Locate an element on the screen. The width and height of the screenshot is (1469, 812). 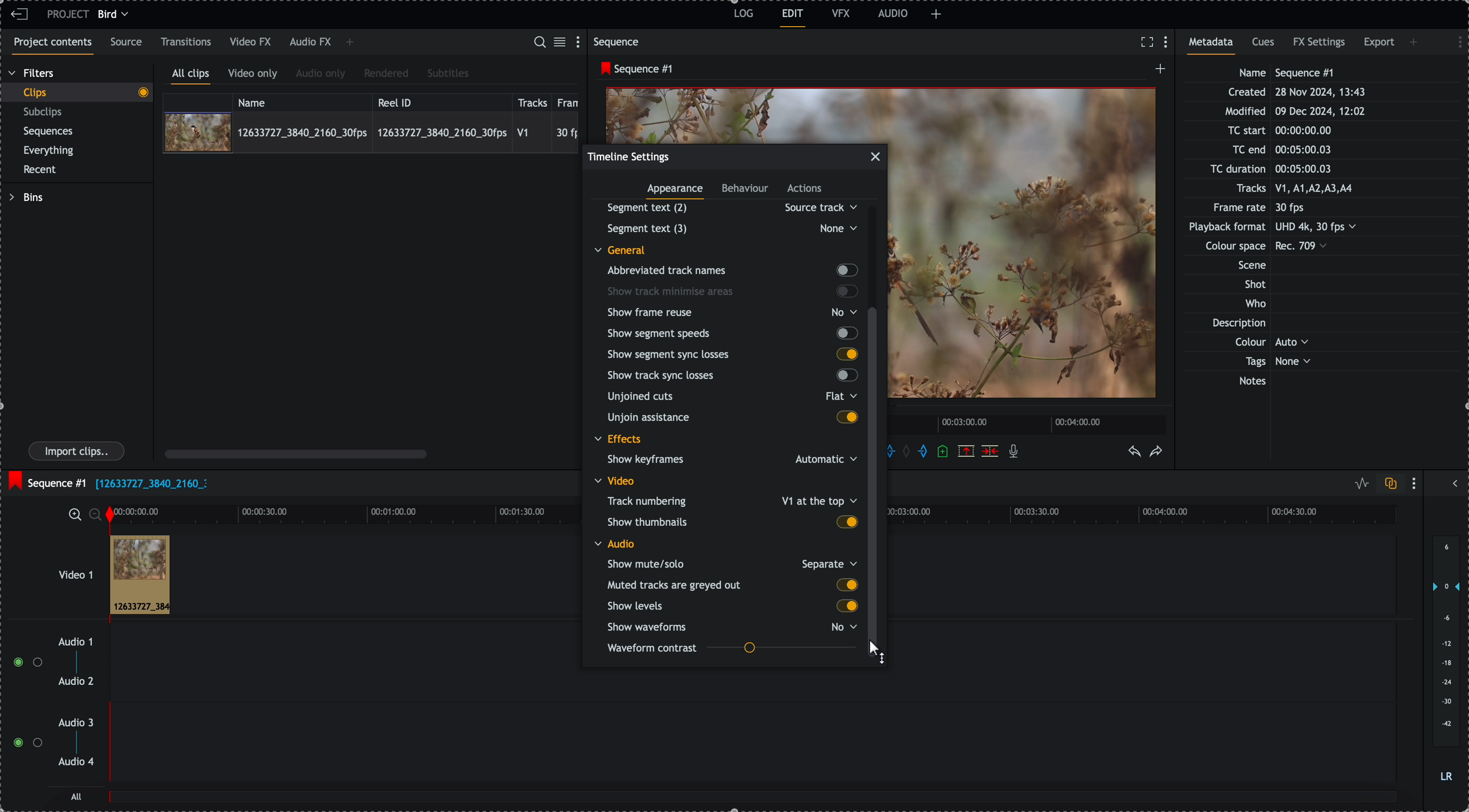
audio 1 is located at coordinates (71, 643).